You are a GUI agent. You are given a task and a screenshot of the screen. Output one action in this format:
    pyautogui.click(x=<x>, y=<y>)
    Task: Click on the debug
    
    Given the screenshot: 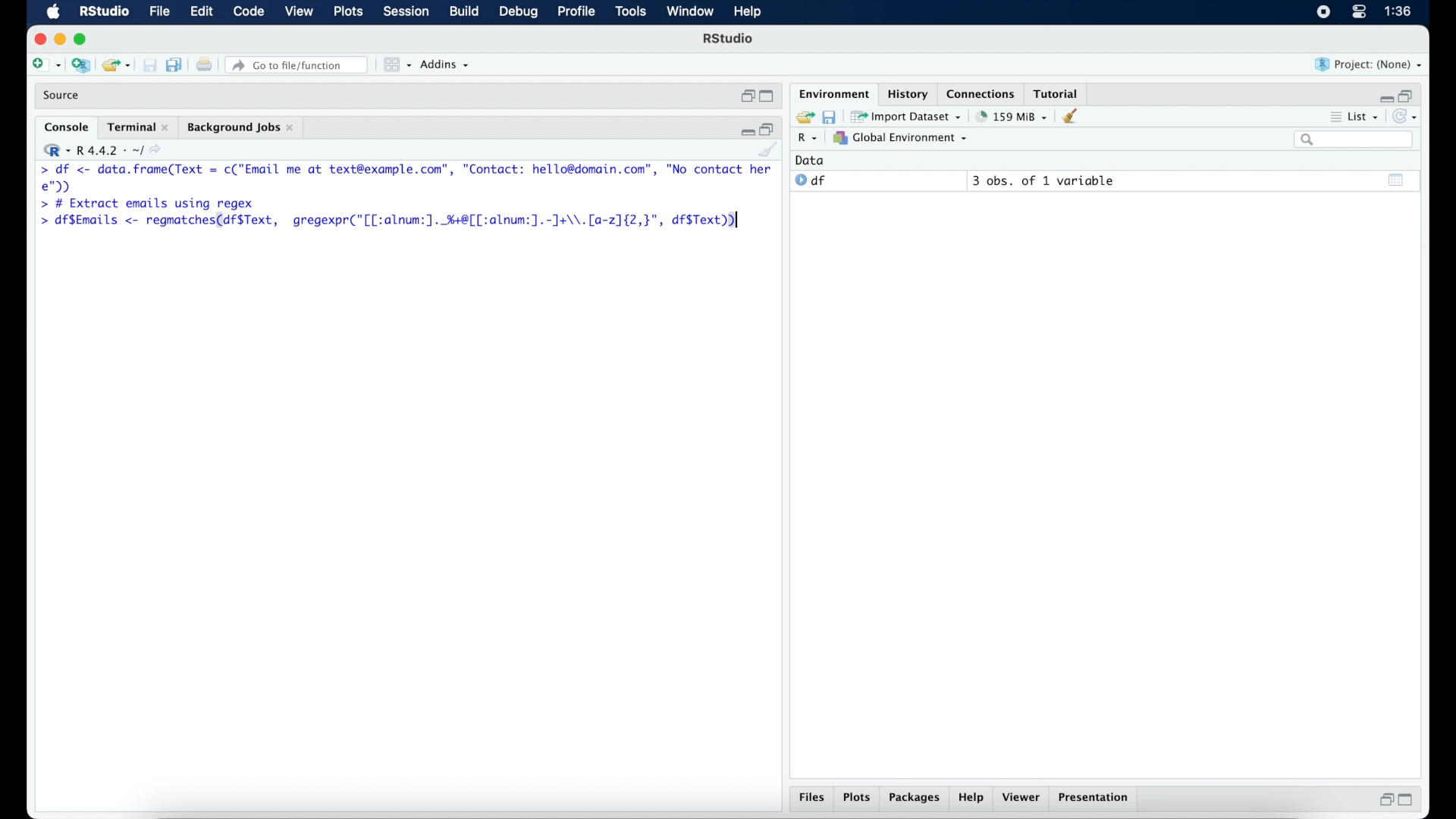 What is the action you would take?
    pyautogui.click(x=519, y=13)
    